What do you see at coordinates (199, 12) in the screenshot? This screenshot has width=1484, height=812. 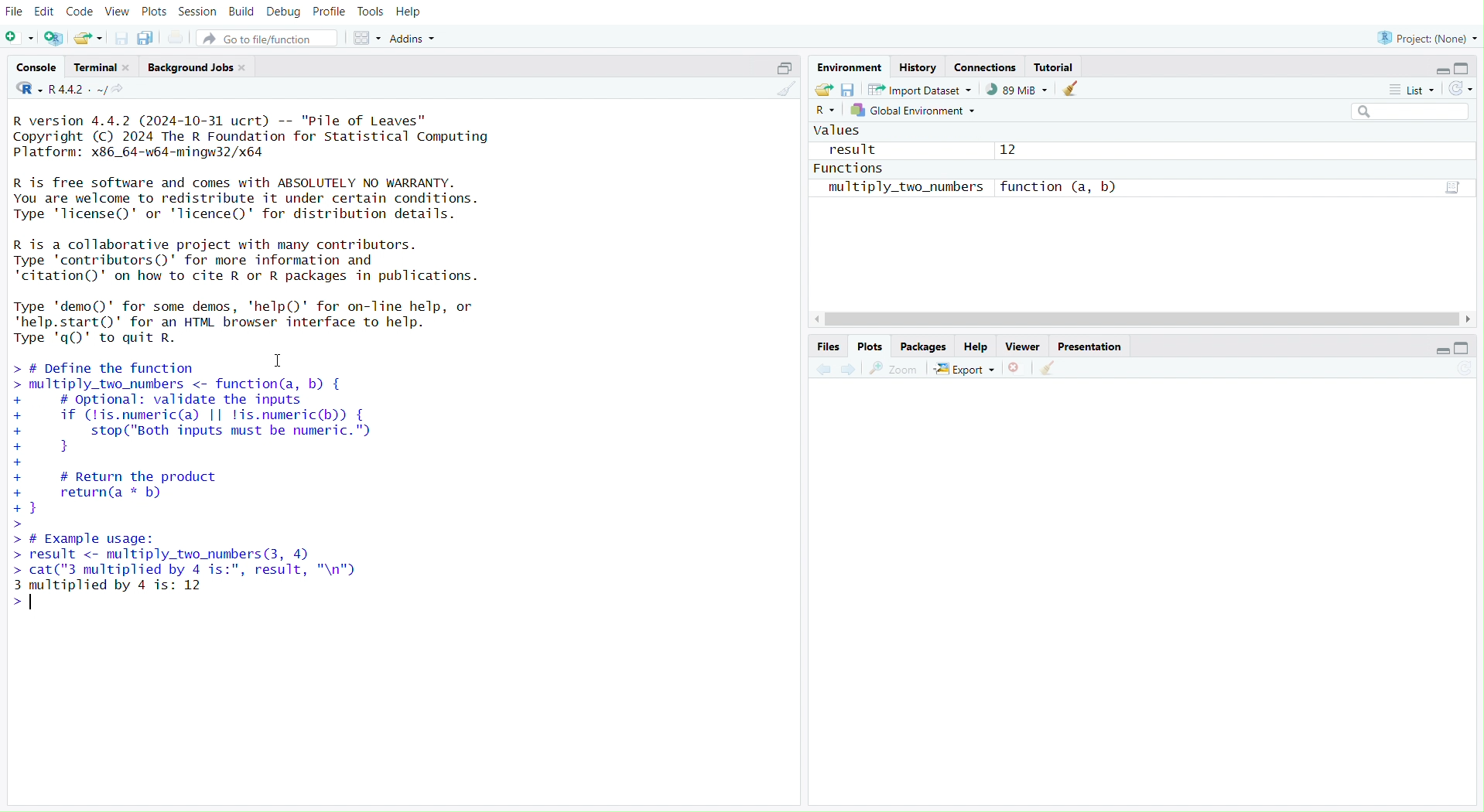 I see `Session` at bounding box center [199, 12].